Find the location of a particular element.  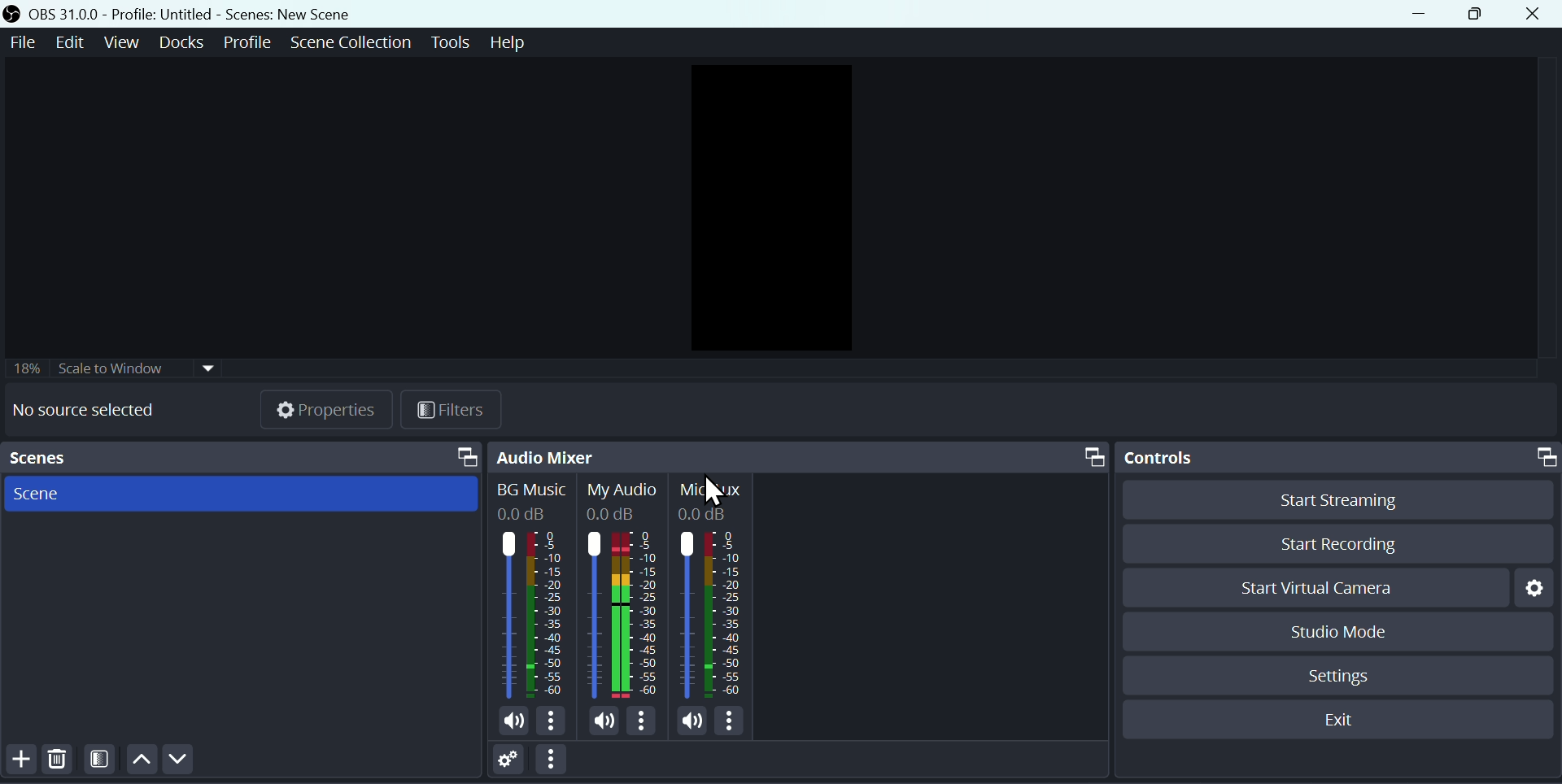

add is located at coordinates (20, 762).